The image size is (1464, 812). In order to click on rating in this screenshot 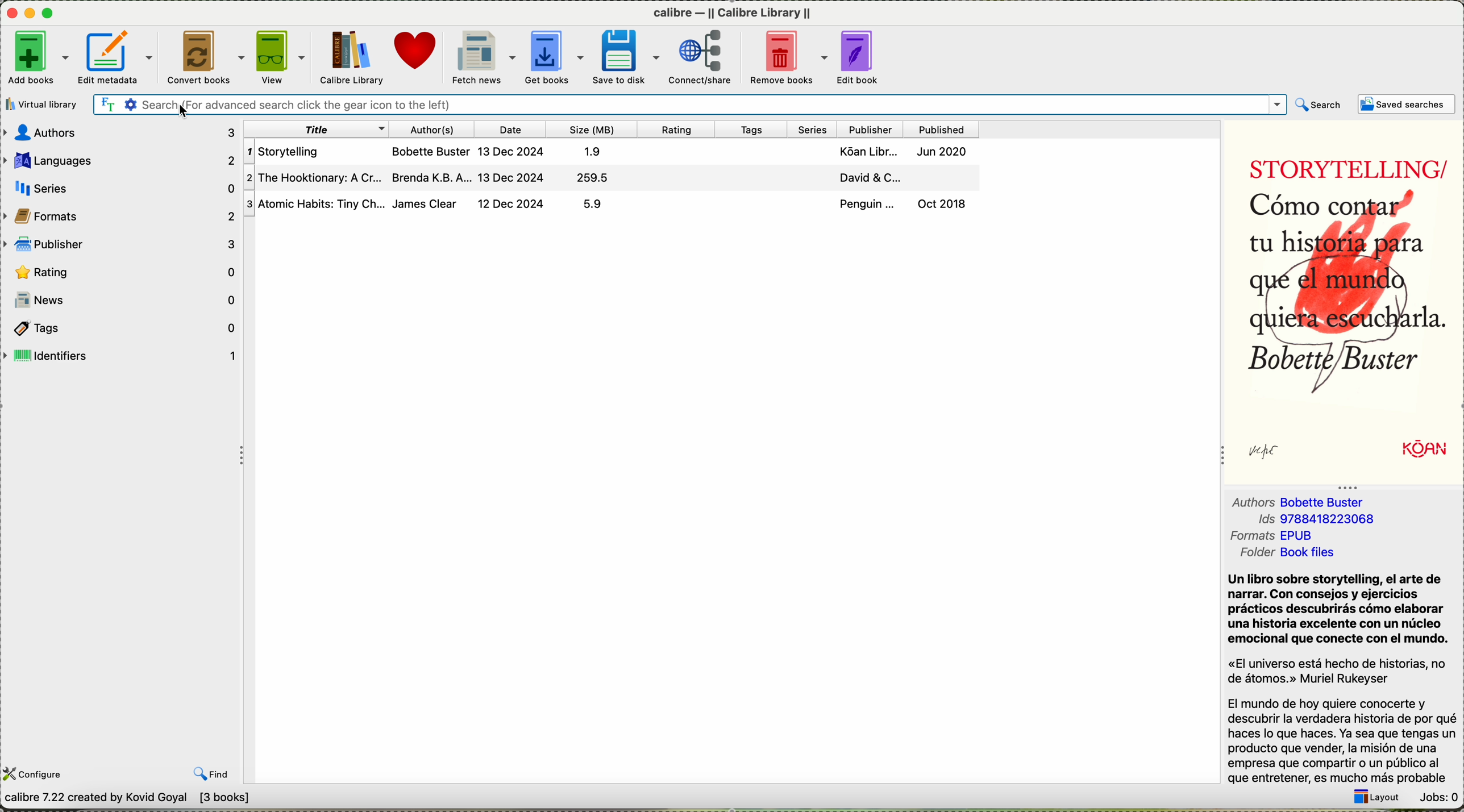, I will do `click(123, 271)`.